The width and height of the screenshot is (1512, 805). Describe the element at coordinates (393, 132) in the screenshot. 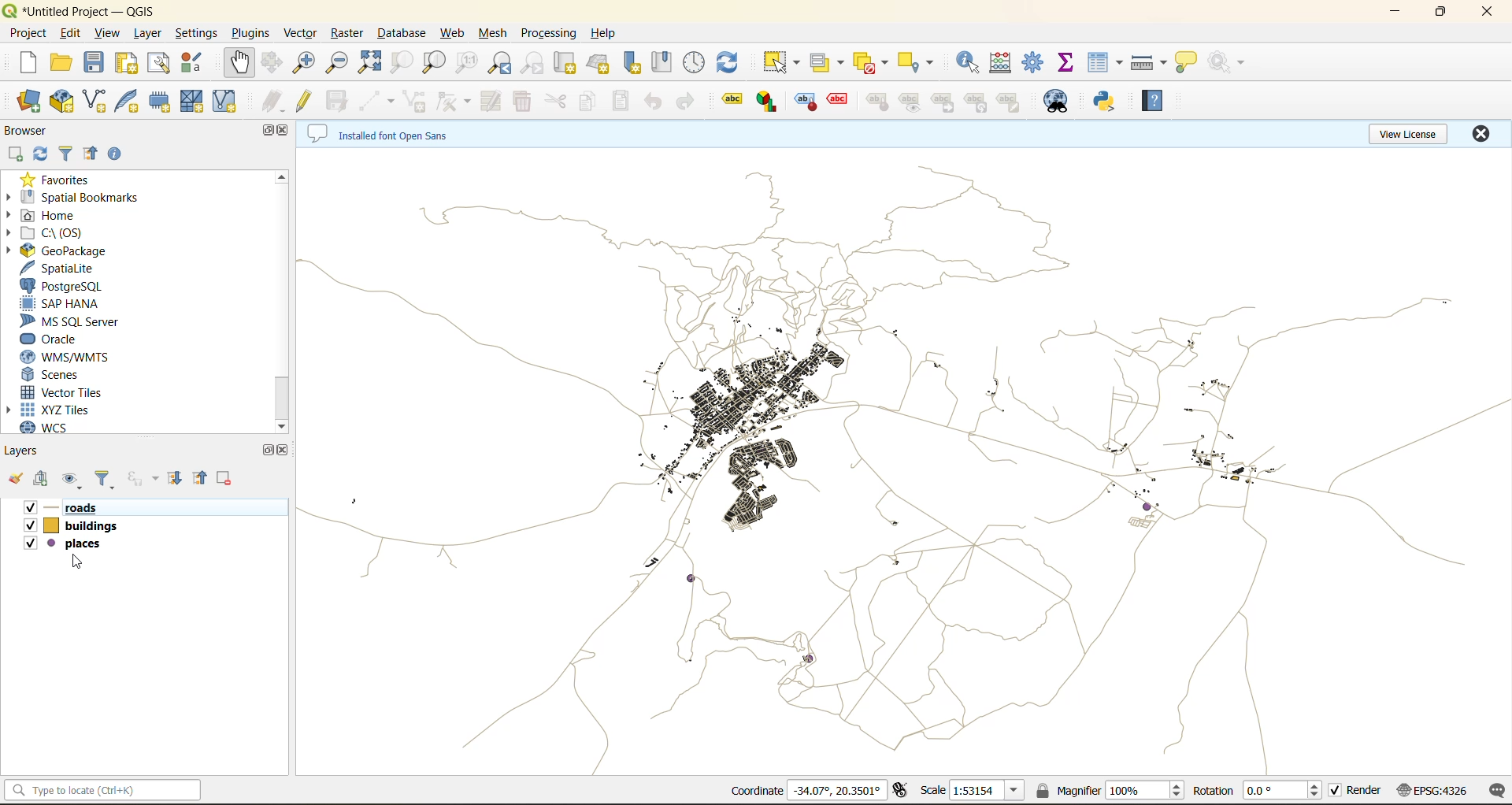

I see `metadata` at that location.